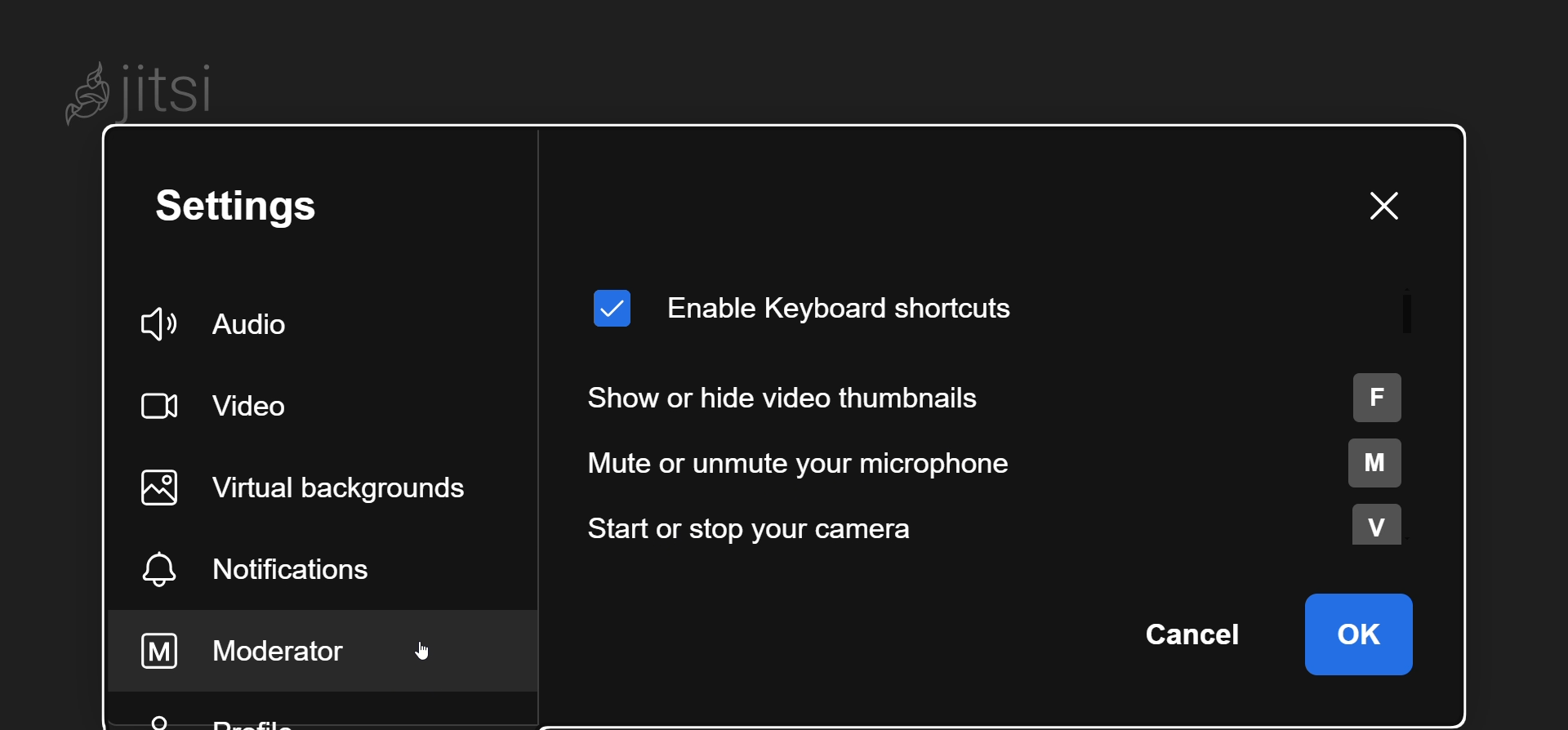 This screenshot has height=730, width=1568. What do you see at coordinates (990, 397) in the screenshot?
I see `show or hide thumbnails` at bounding box center [990, 397].